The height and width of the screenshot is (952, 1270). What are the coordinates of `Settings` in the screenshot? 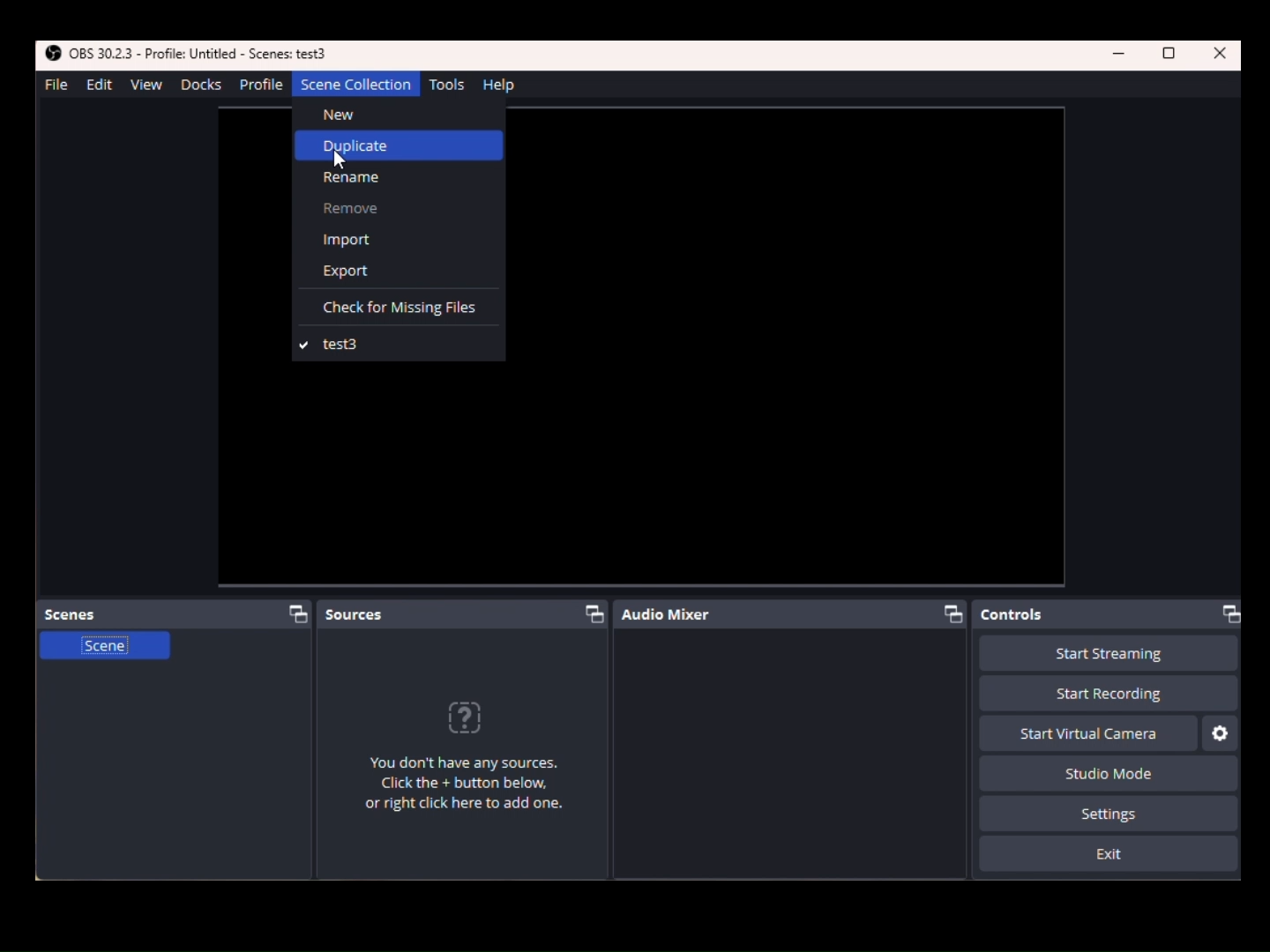 It's located at (1109, 814).